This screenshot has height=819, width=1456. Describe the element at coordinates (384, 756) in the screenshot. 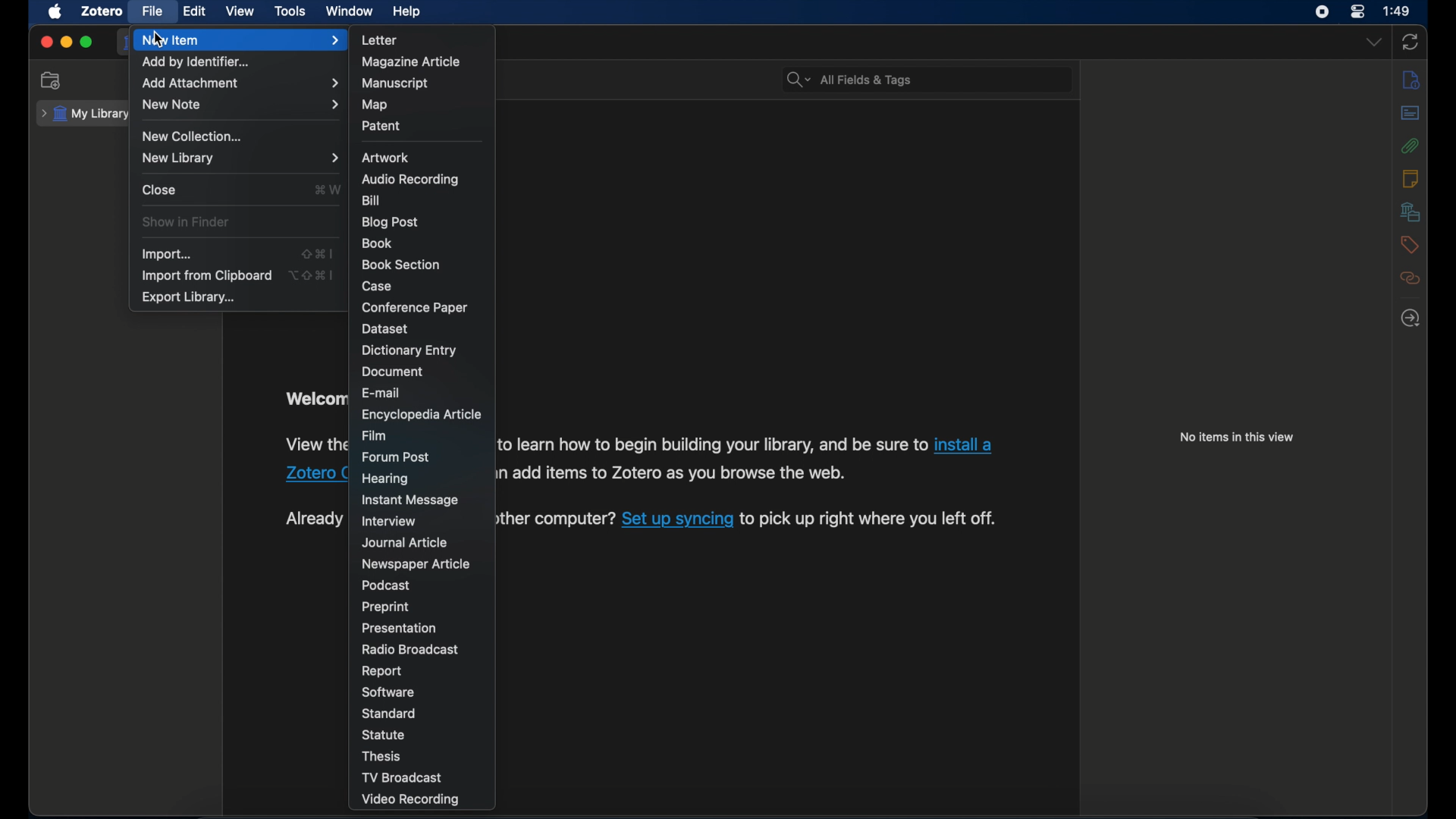

I see `thesis` at that location.